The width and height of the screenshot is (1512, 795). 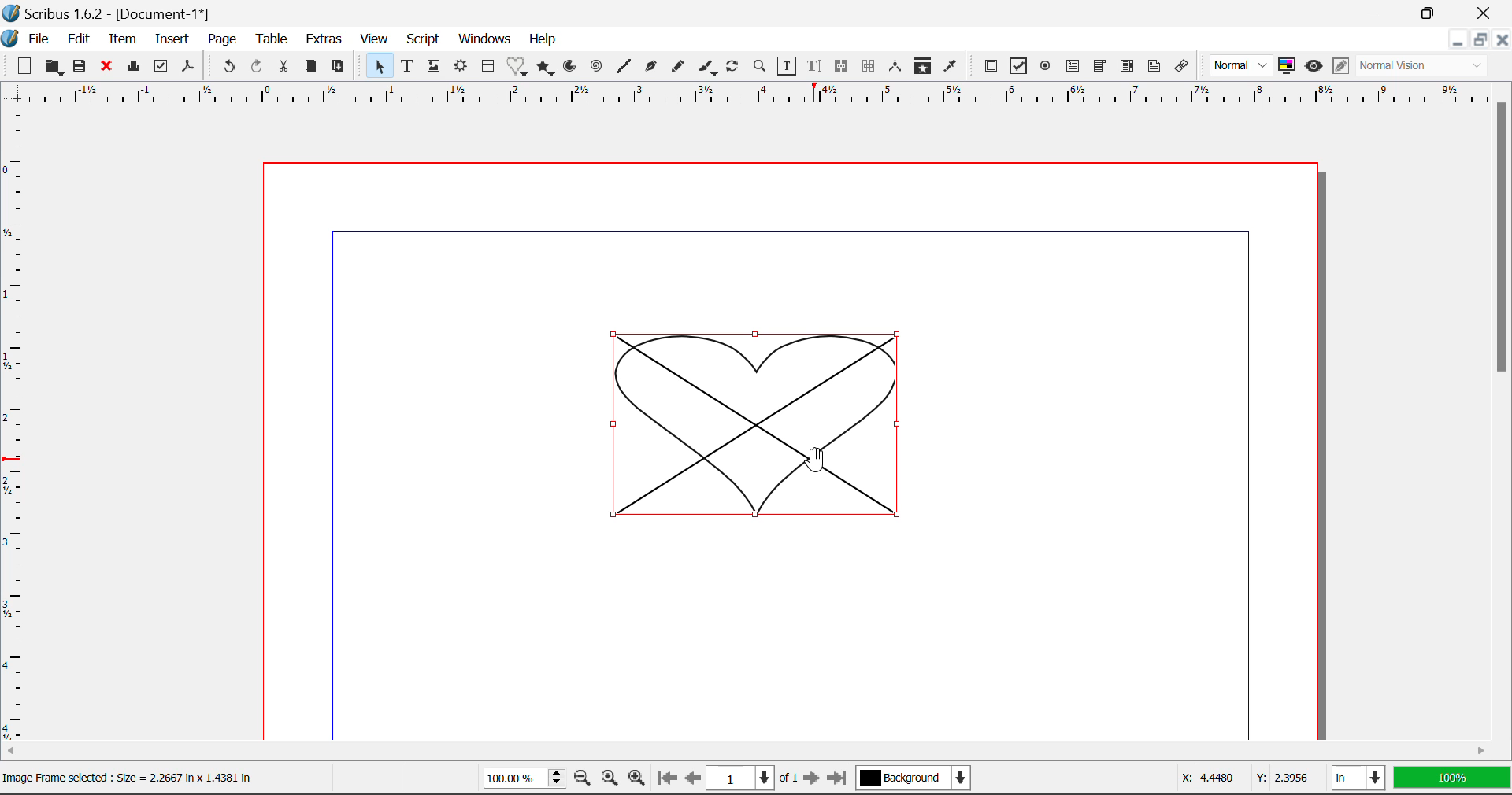 I want to click on Freehand Curve, so click(x=680, y=66).